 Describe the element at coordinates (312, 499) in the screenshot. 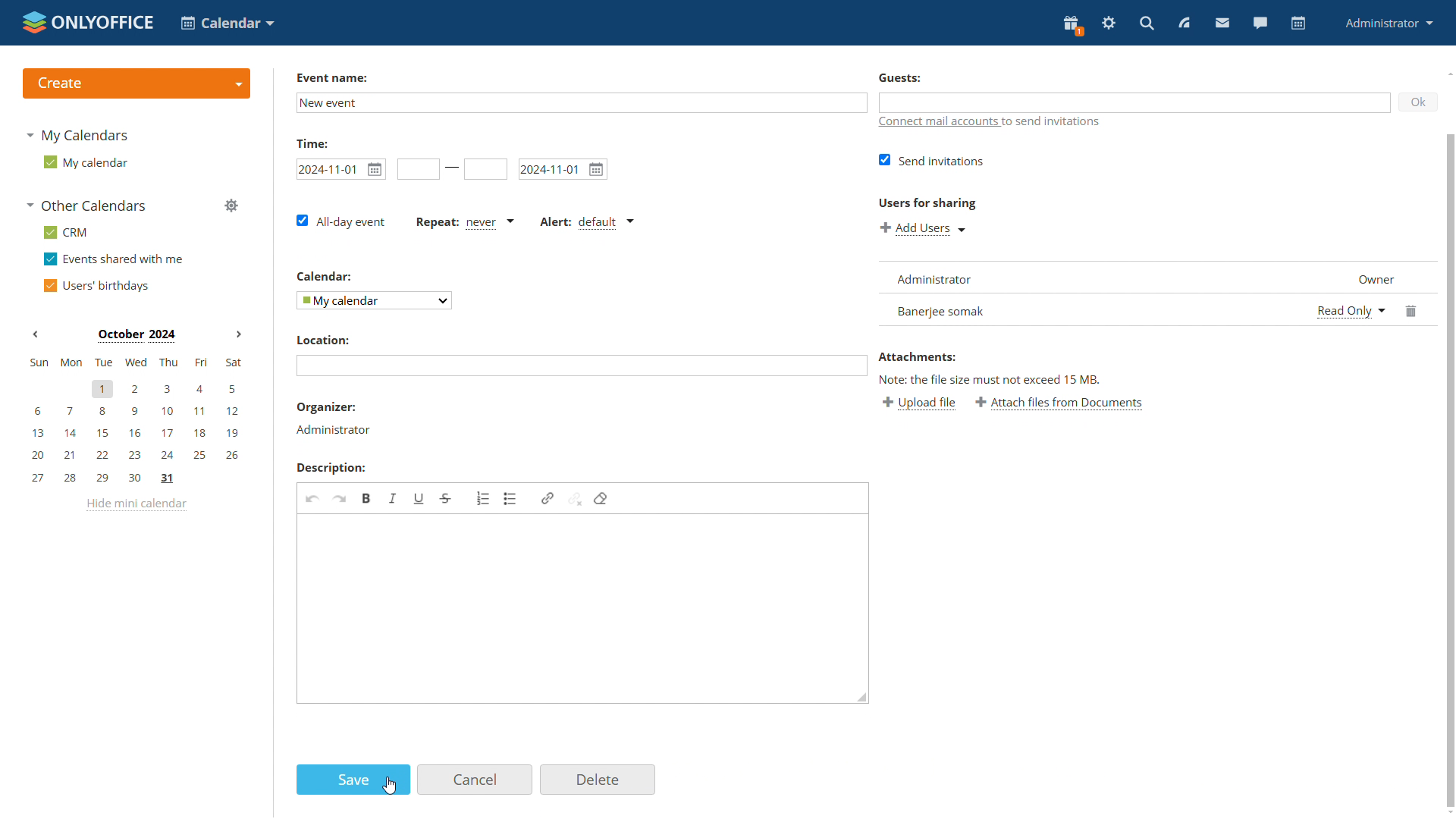

I see `undo` at that location.